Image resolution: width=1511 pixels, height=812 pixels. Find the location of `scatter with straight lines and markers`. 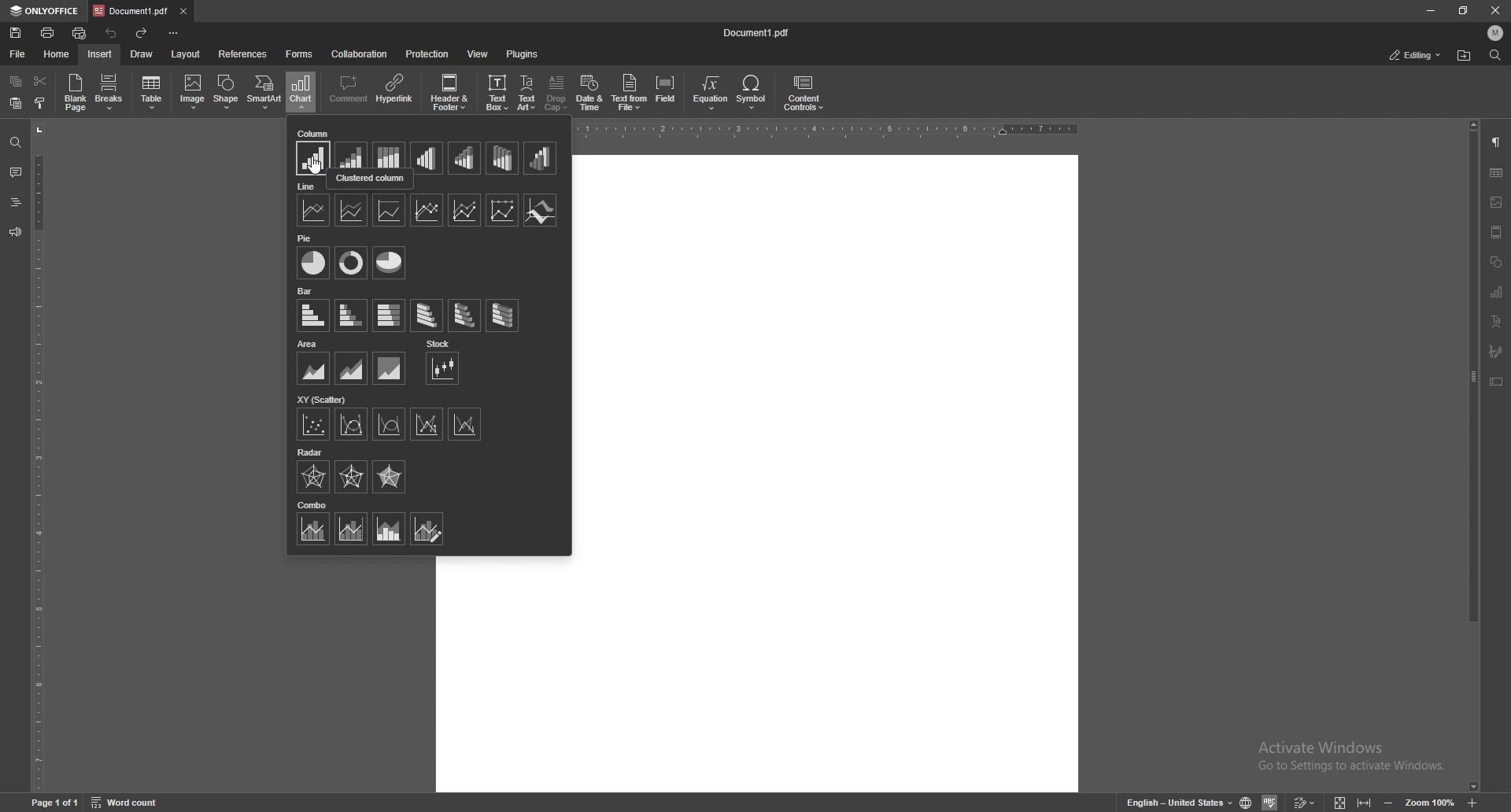

scatter with straight lines and markers is located at coordinates (427, 423).